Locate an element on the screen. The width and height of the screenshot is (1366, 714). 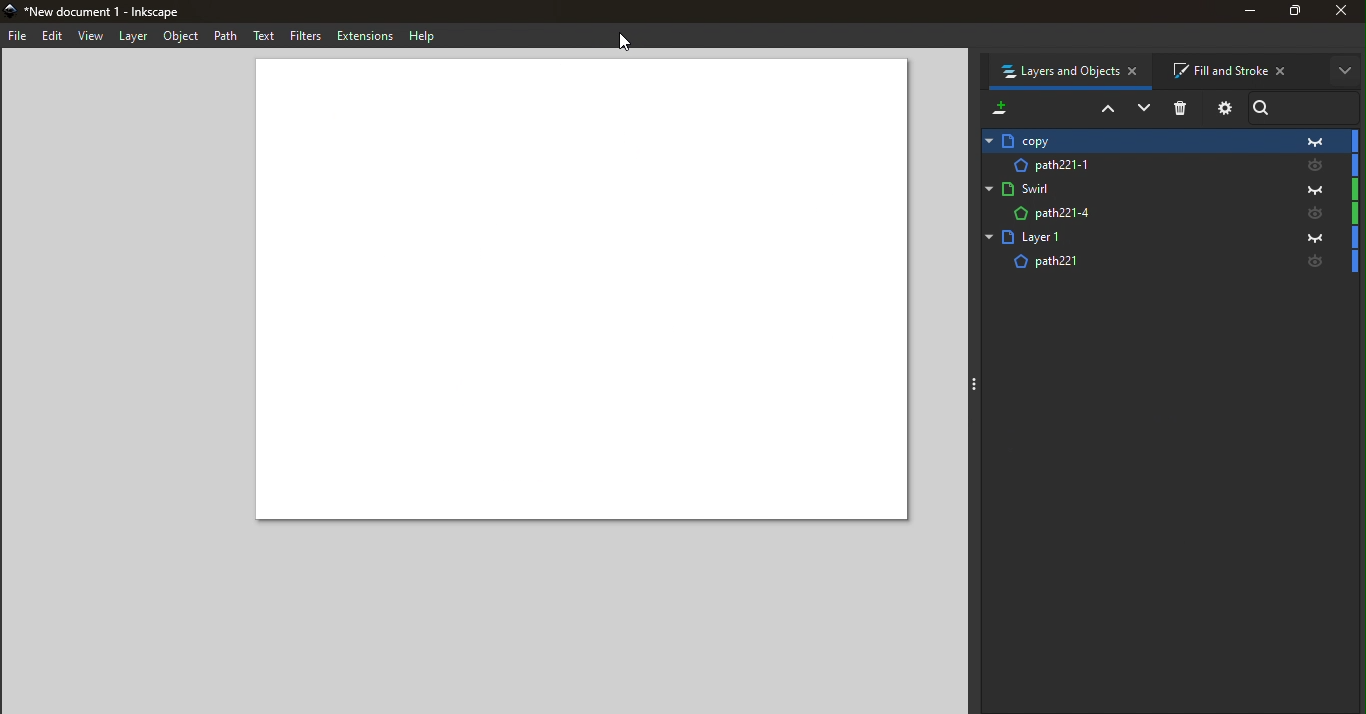
Lower selection one step is located at coordinates (1145, 109).